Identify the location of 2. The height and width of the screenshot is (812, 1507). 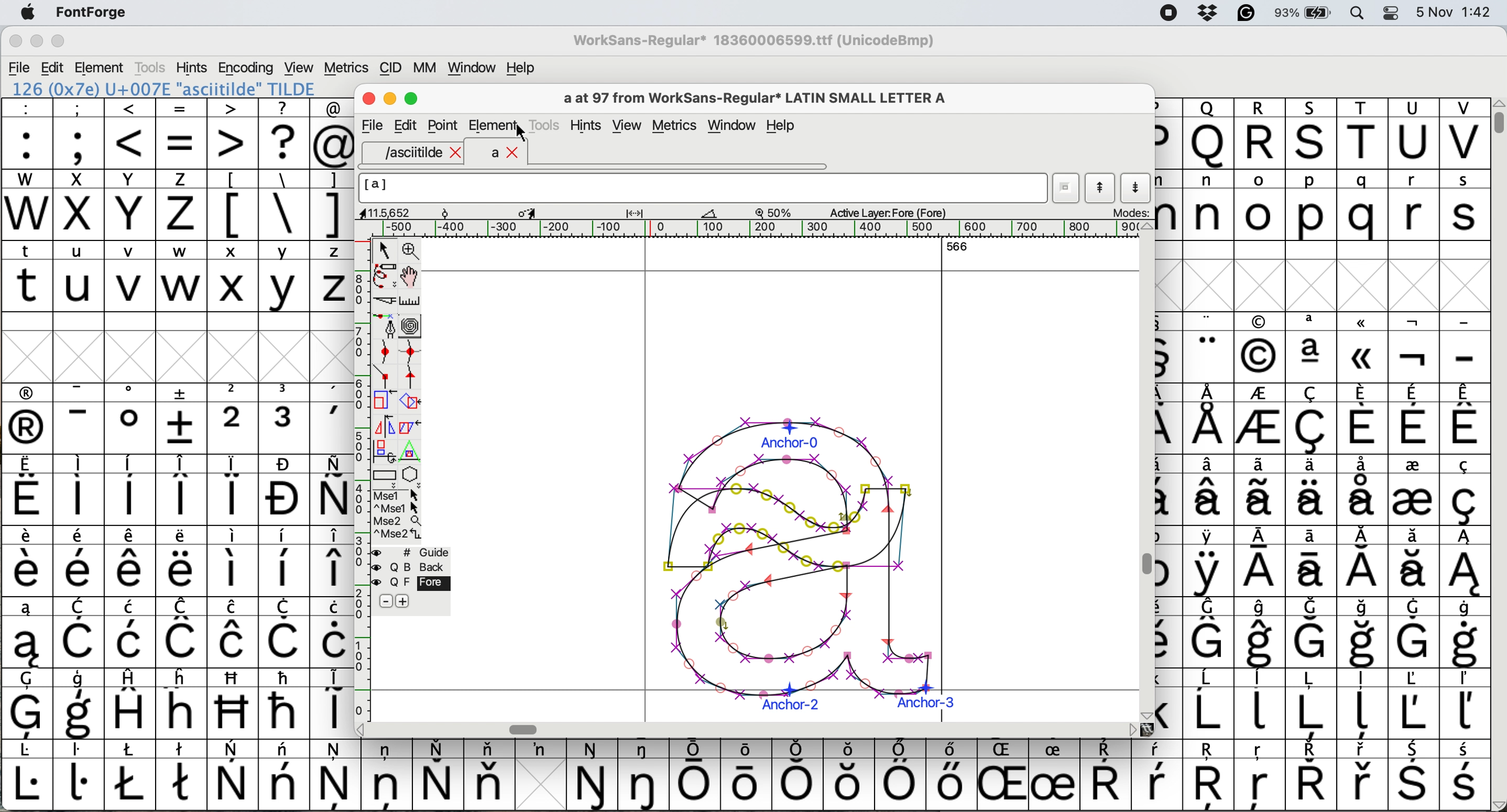
(233, 418).